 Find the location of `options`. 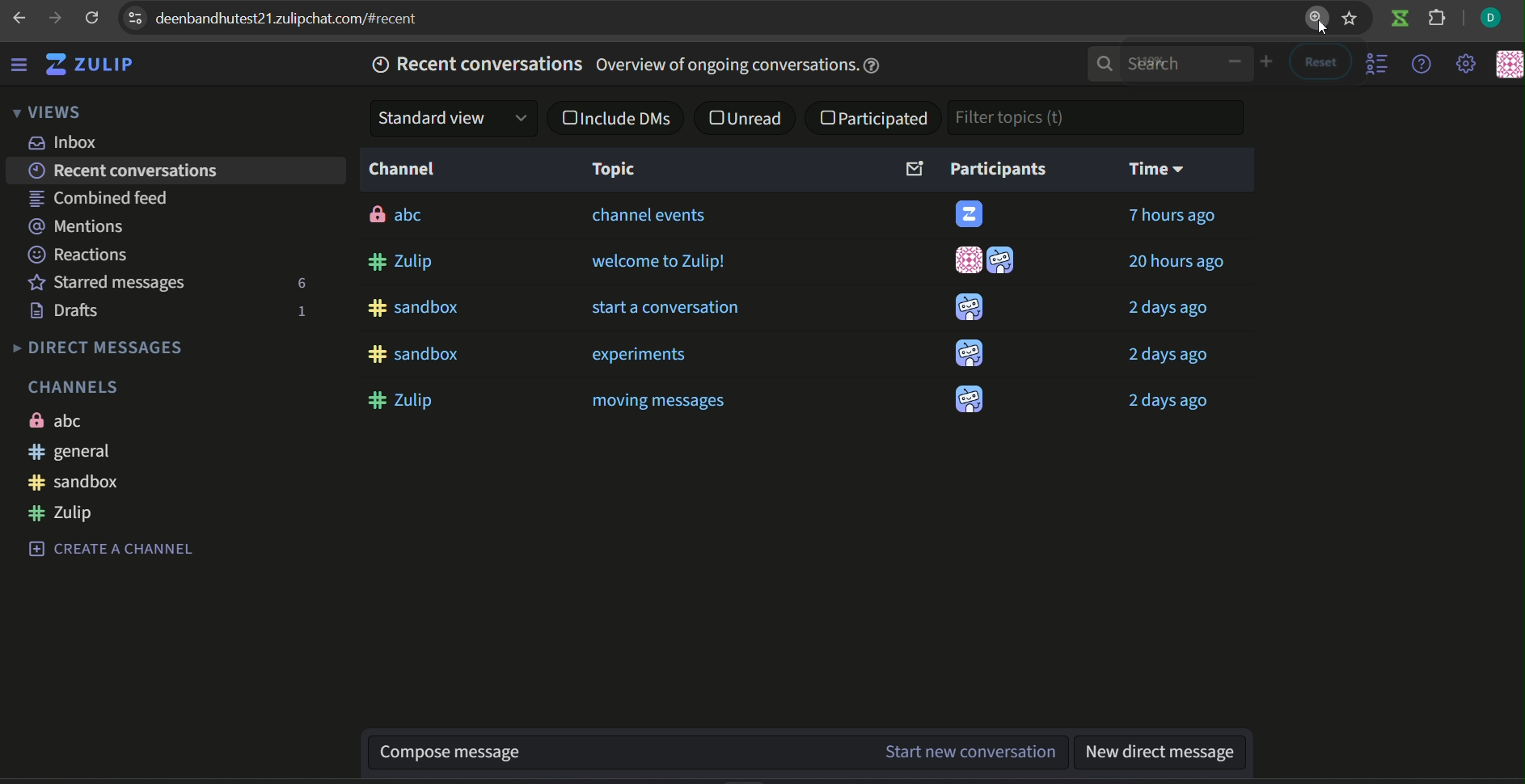

options is located at coordinates (1379, 65).